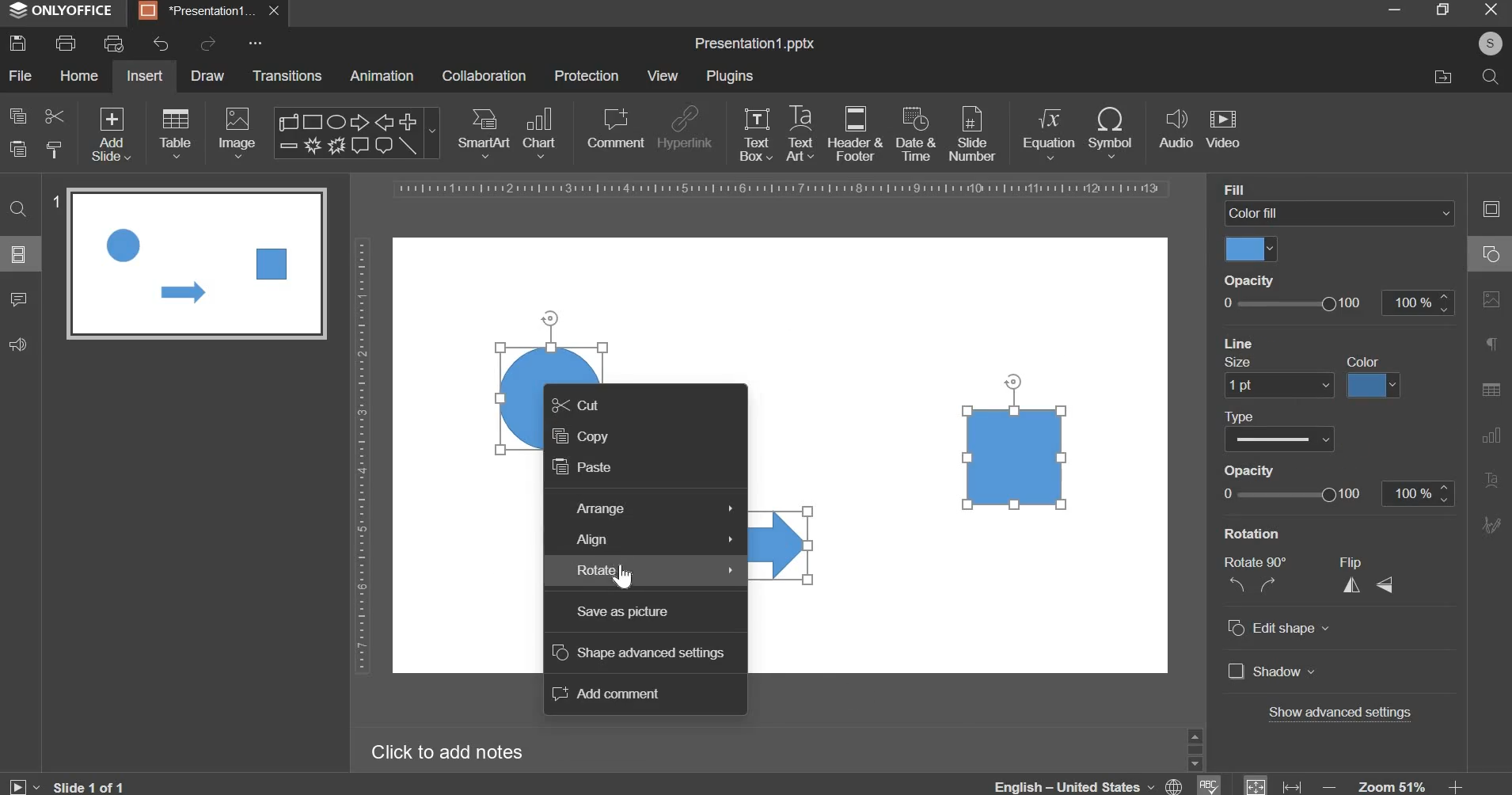  I want to click on color fill, so click(1250, 249).